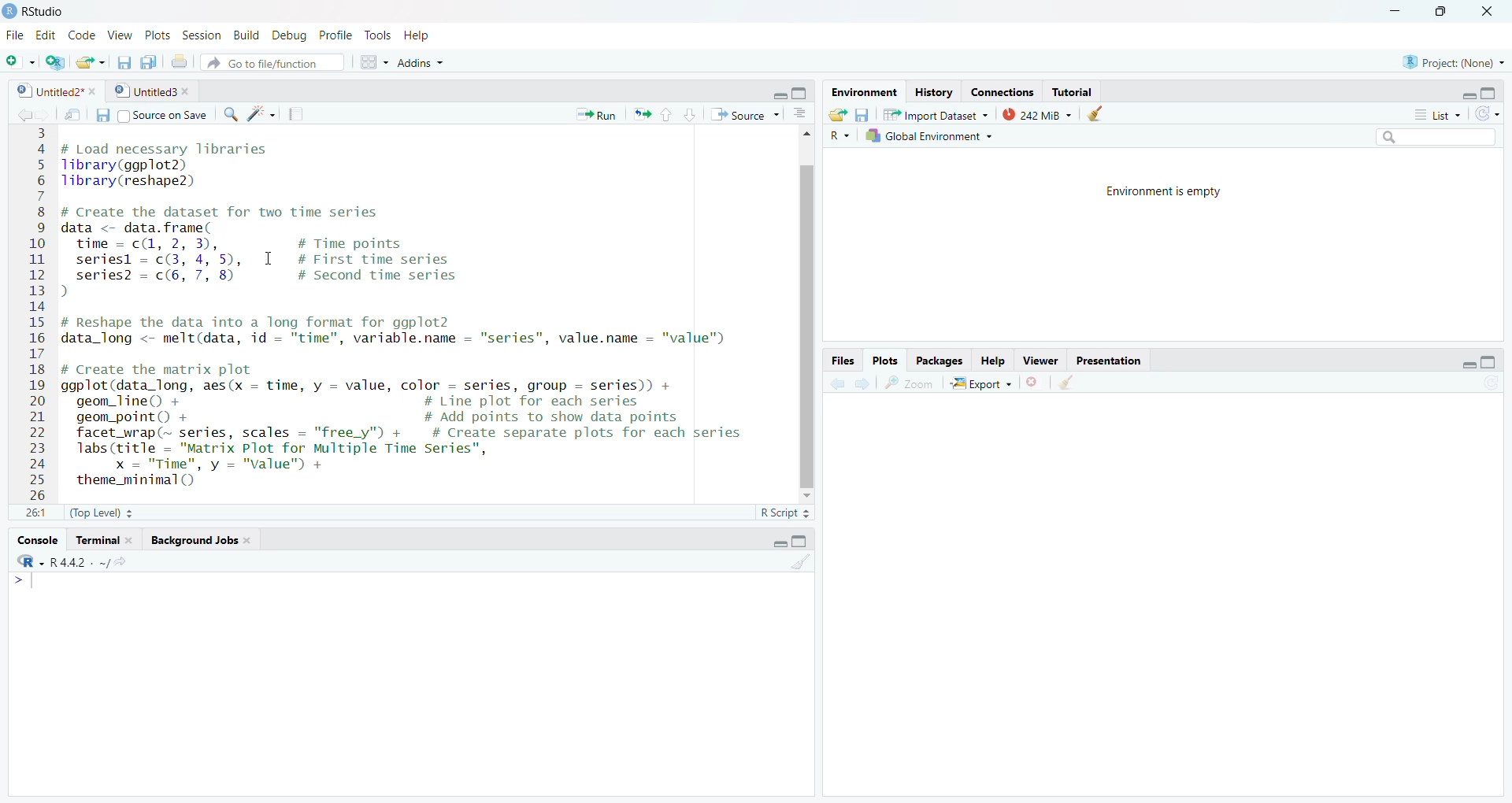 This screenshot has height=803, width=1512. I want to click on Global Environment , so click(936, 135).